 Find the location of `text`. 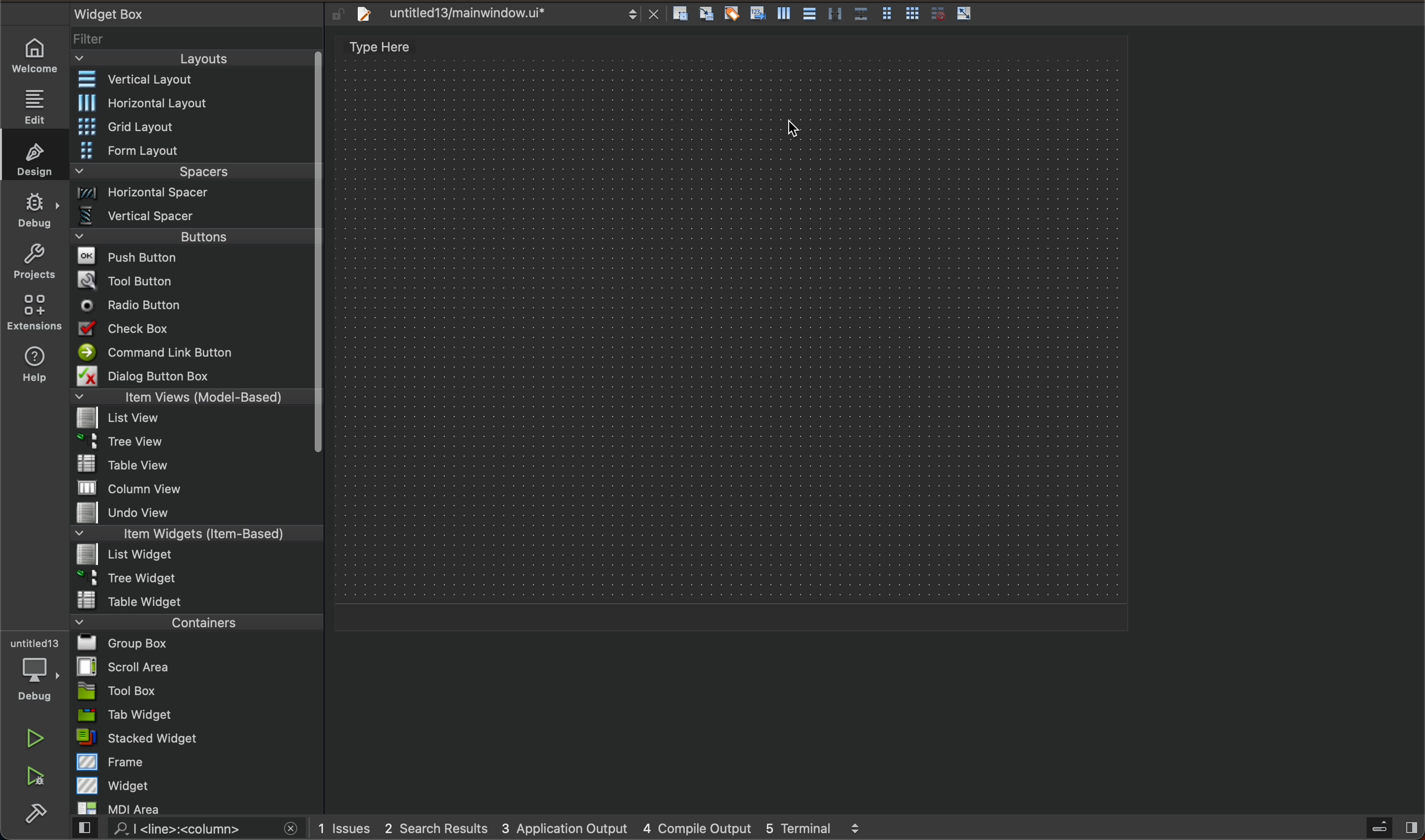

text is located at coordinates (400, 48).